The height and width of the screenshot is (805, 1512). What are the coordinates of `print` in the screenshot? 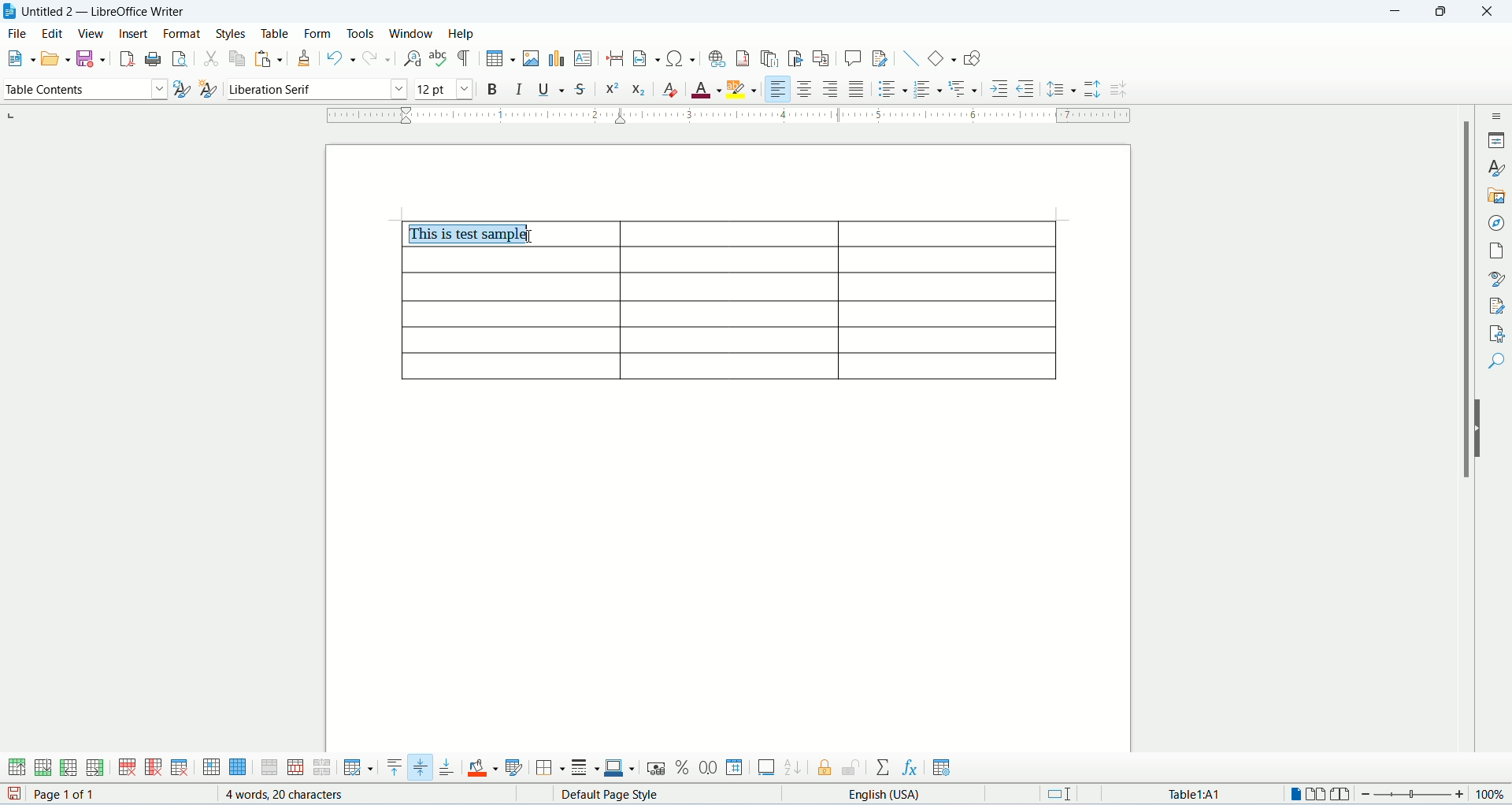 It's located at (154, 59).